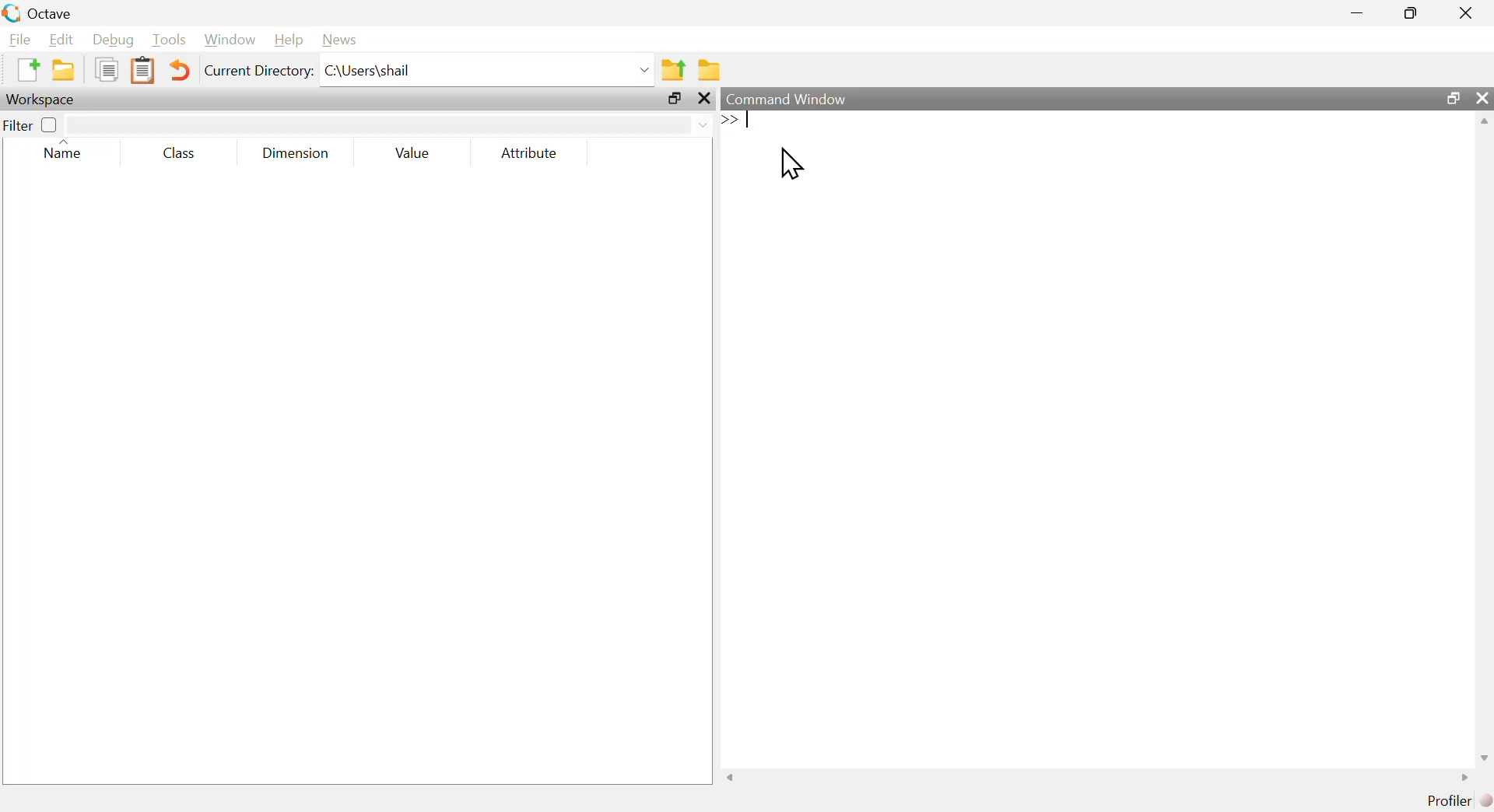 The image size is (1494, 812). I want to click on documents, so click(108, 71).